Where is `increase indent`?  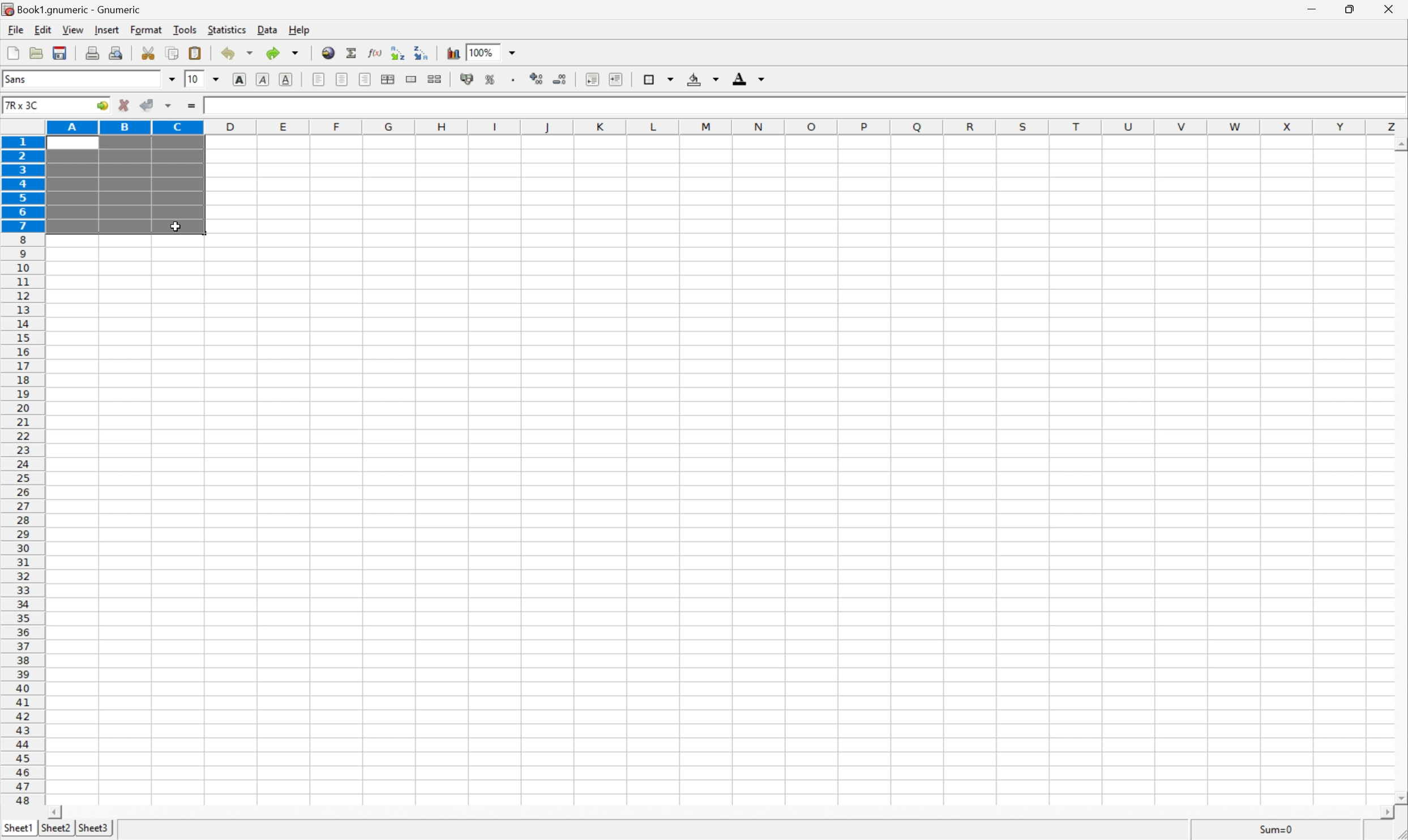 increase indent is located at coordinates (613, 78).